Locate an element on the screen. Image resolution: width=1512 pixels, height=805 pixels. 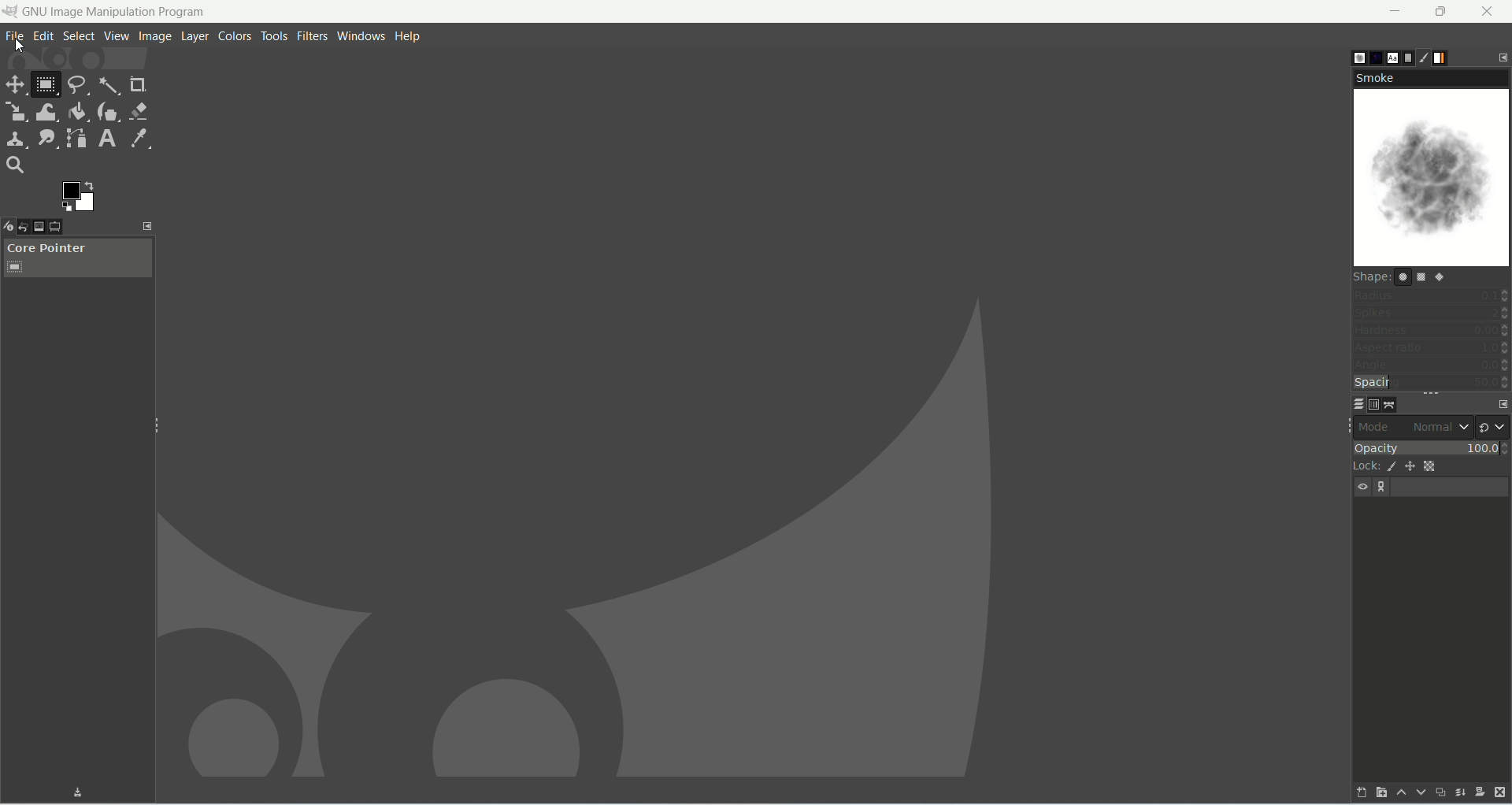
bucket fill is located at coordinates (76, 113).